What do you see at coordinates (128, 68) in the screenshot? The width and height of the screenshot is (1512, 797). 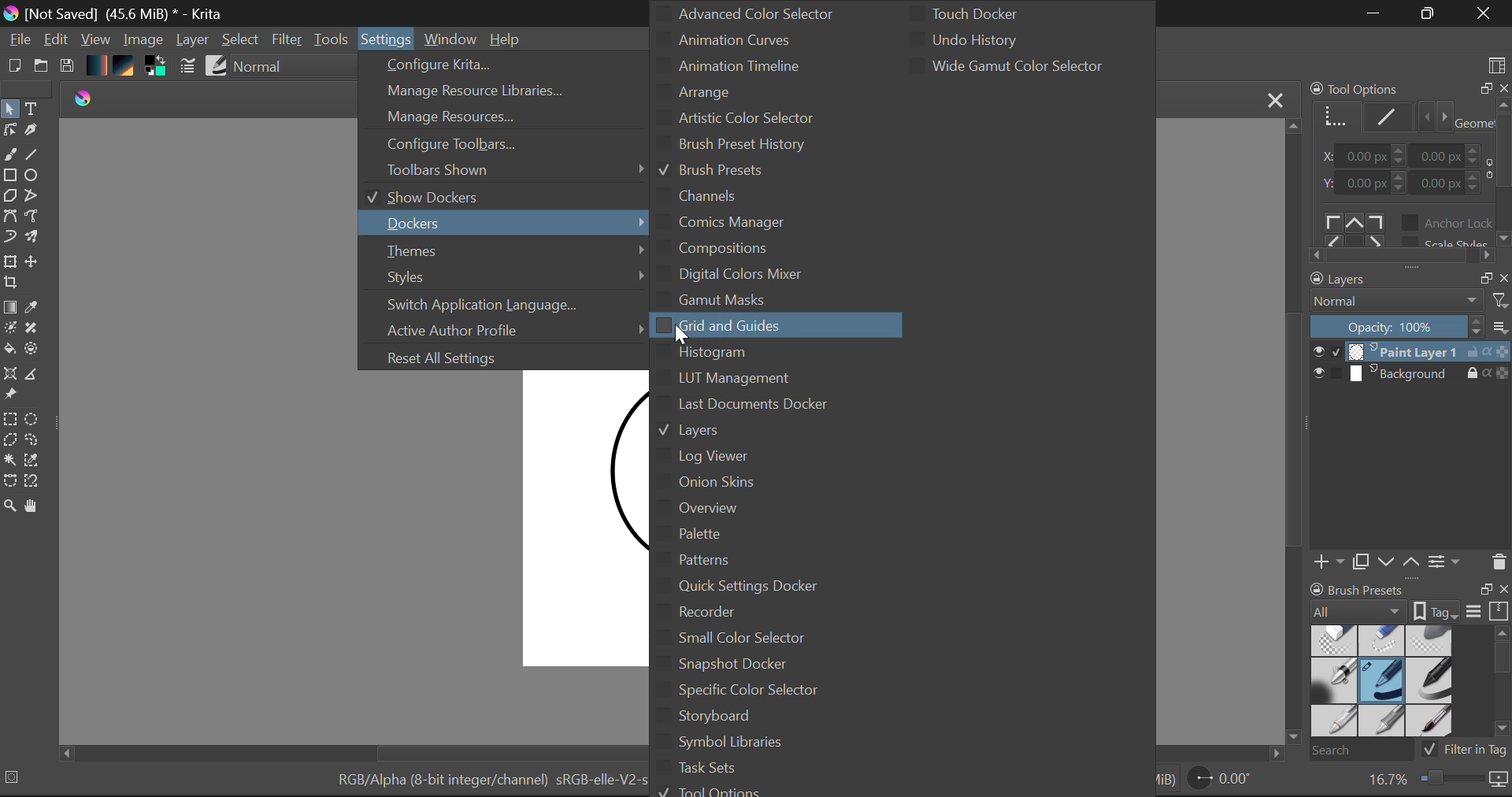 I see `Texture` at bounding box center [128, 68].